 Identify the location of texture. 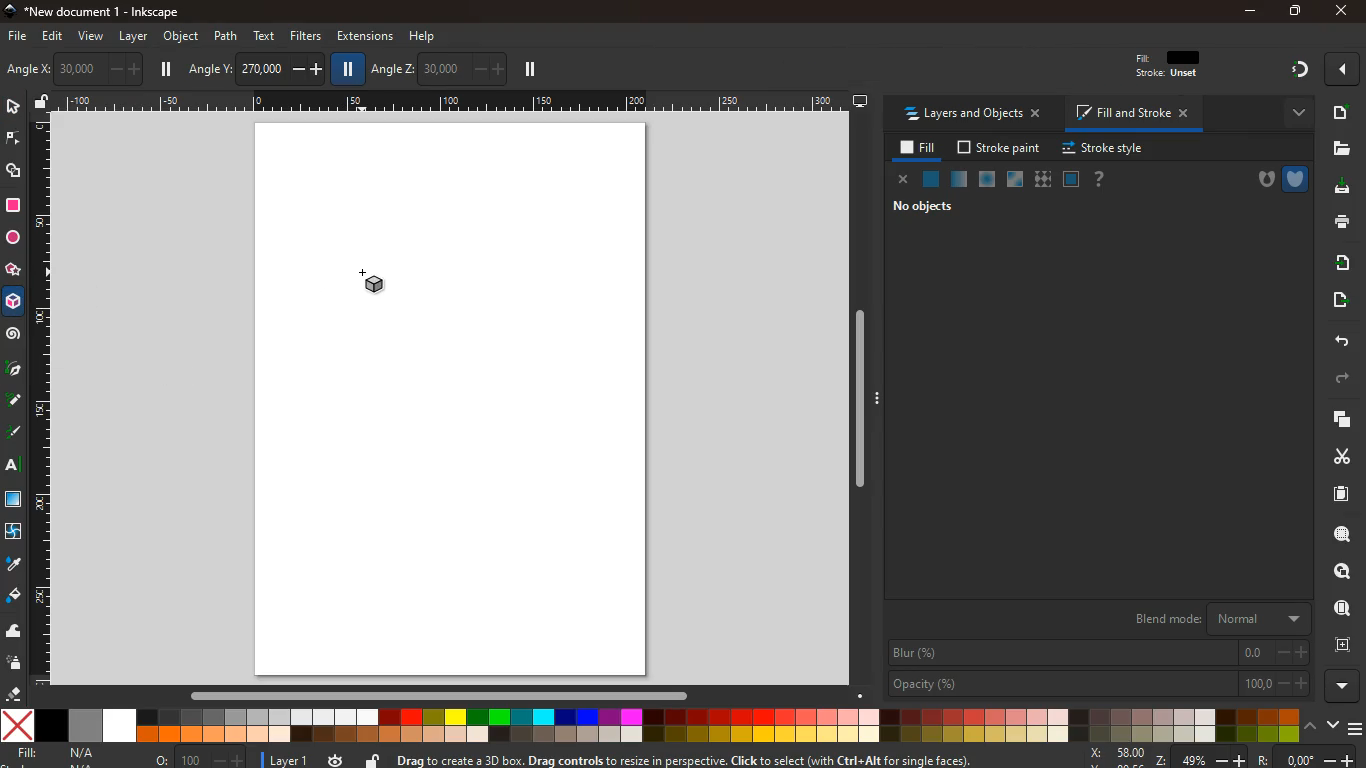
(1043, 179).